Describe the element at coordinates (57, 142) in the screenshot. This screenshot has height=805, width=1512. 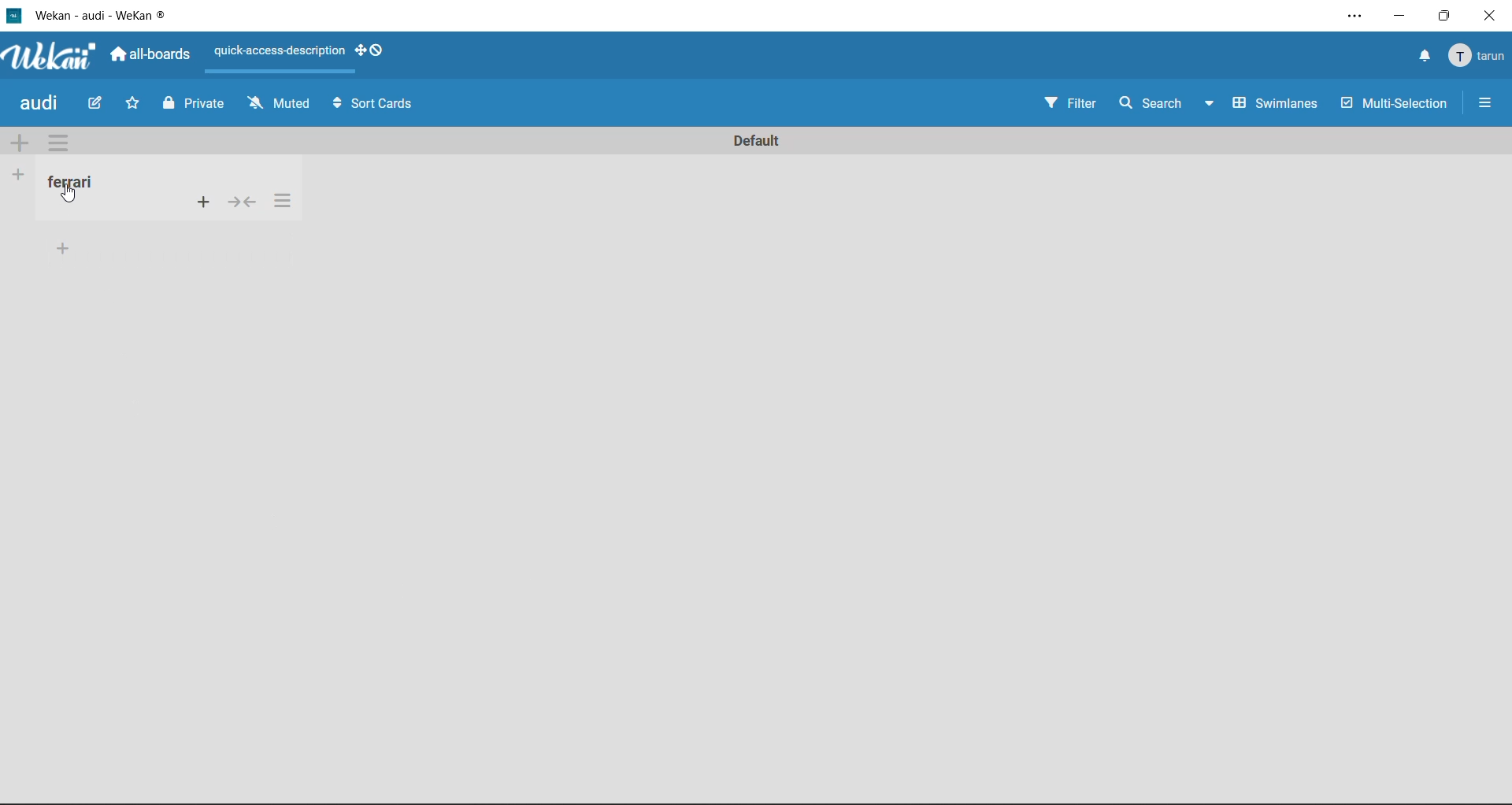
I see `swimlane action` at that location.